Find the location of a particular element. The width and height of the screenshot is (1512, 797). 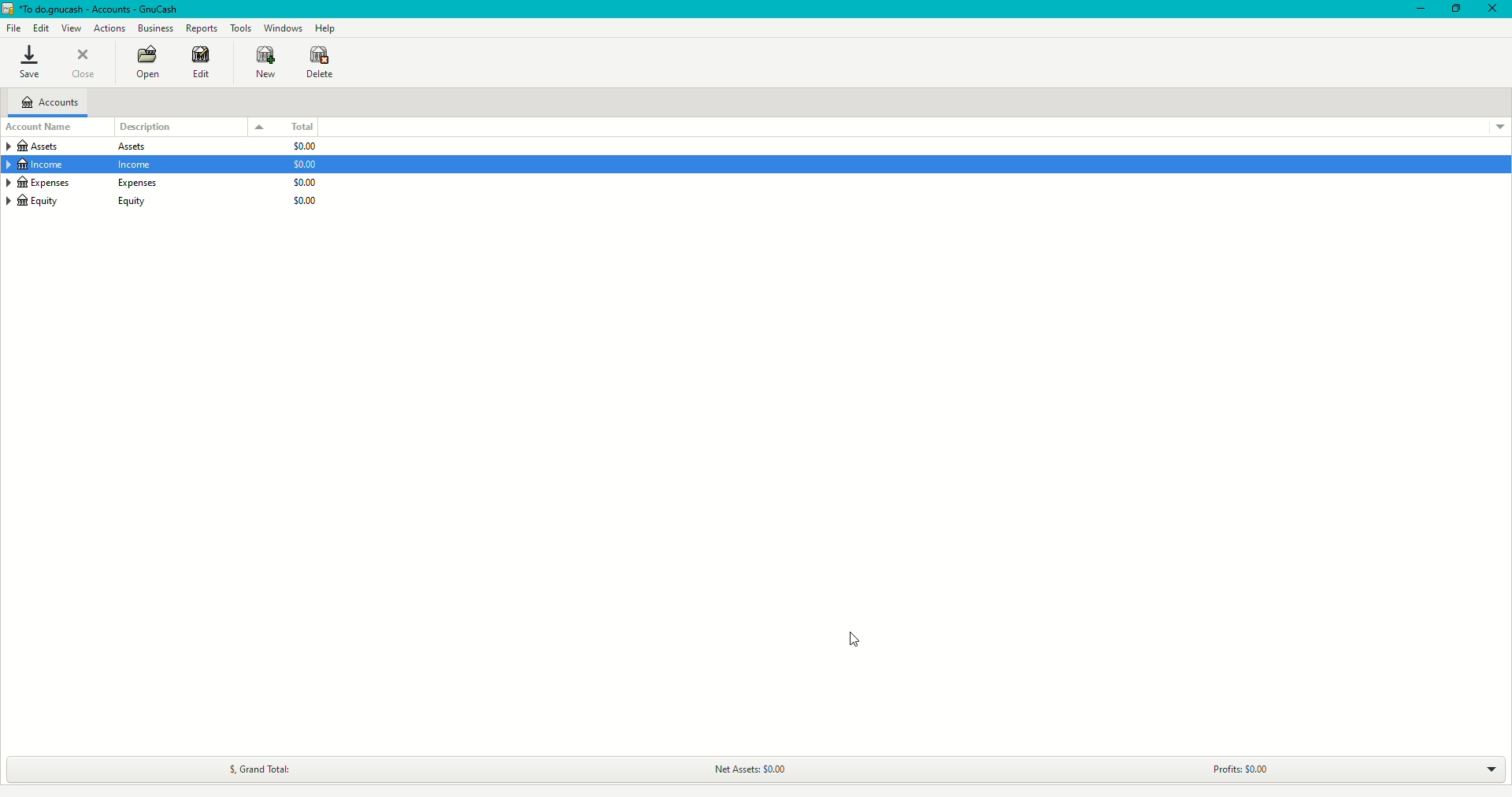

File is located at coordinates (13, 28).